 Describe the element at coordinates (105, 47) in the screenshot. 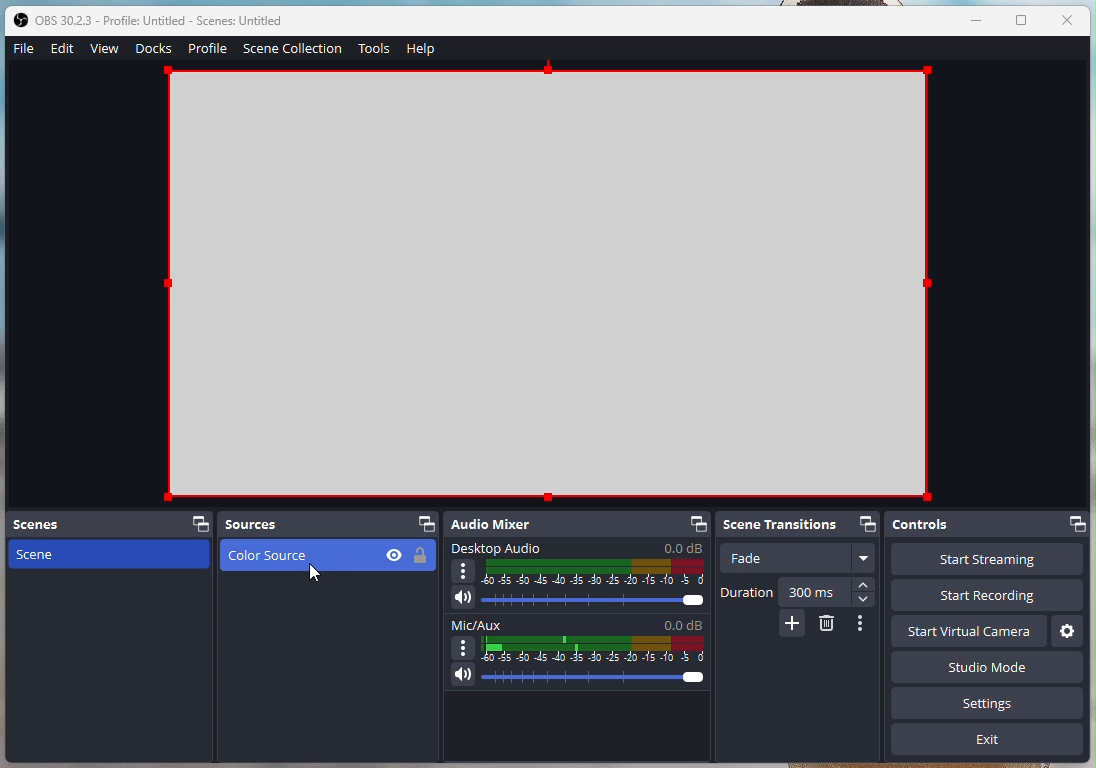

I see `View` at that location.